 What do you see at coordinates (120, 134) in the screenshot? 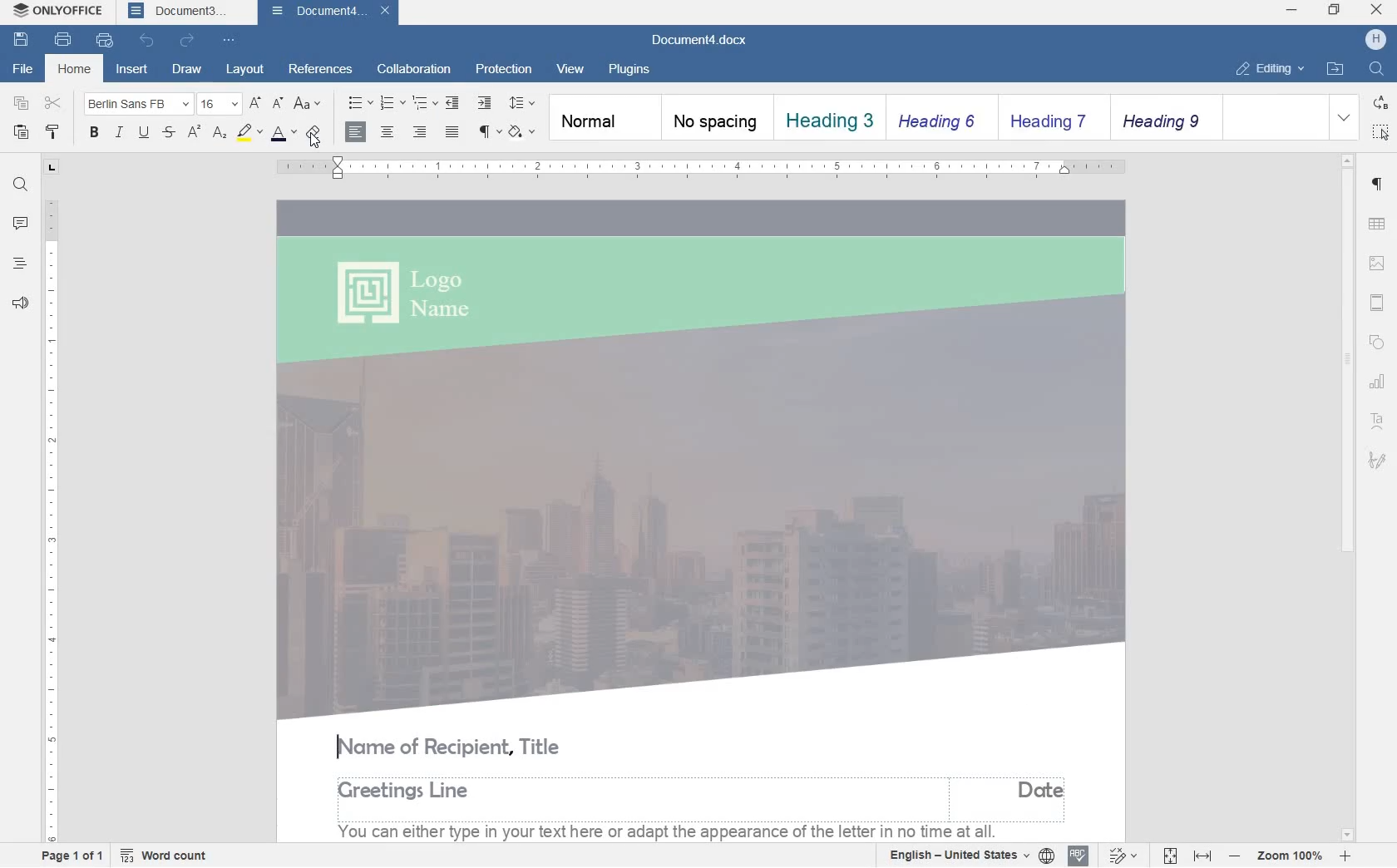
I see `italic` at bounding box center [120, 134].